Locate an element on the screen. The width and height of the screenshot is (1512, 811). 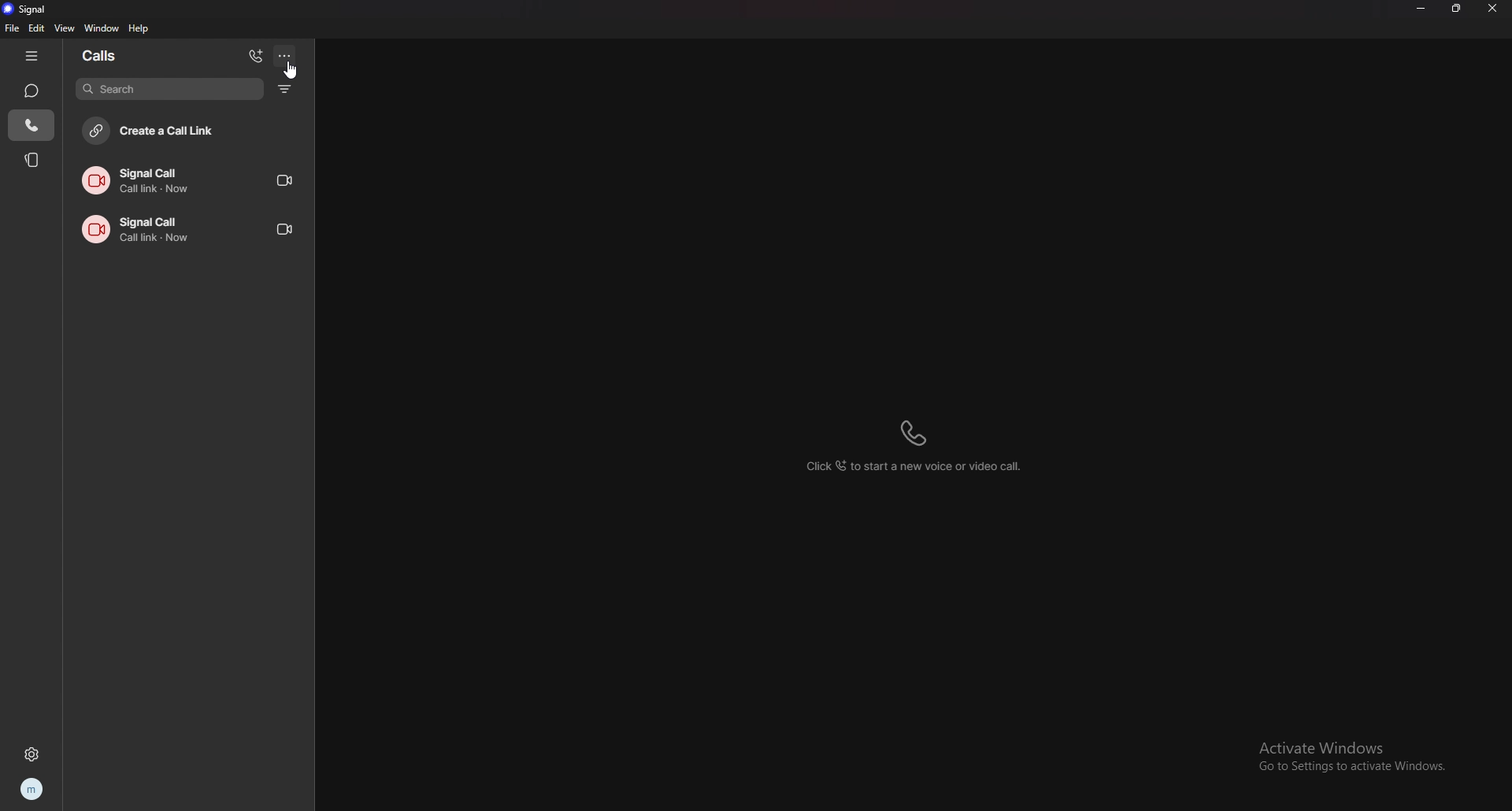
minimize is located at coordinates (1421, 9).